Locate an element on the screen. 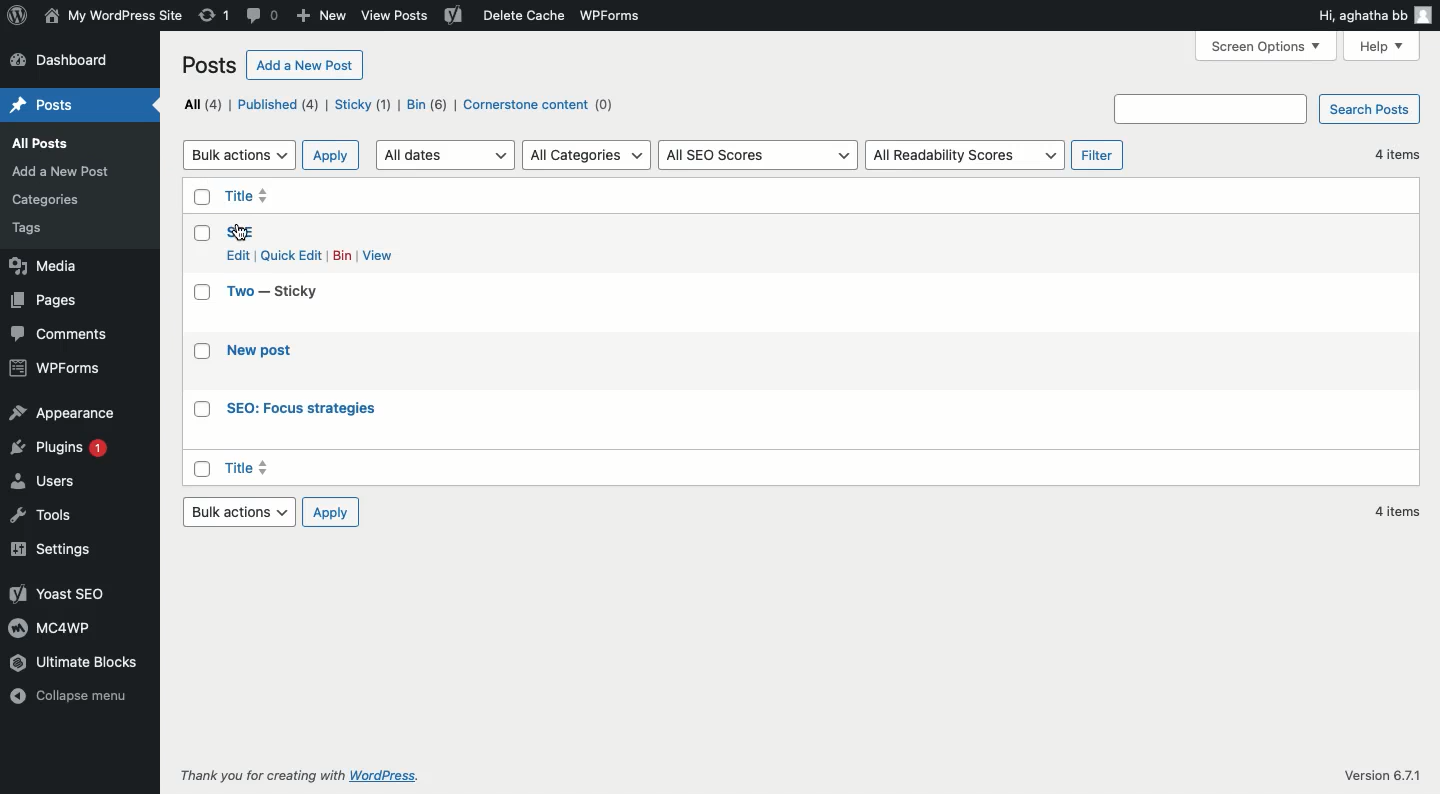 This screenshot has width=1440, height=794. view Posts is located at coordinates (394, 19).